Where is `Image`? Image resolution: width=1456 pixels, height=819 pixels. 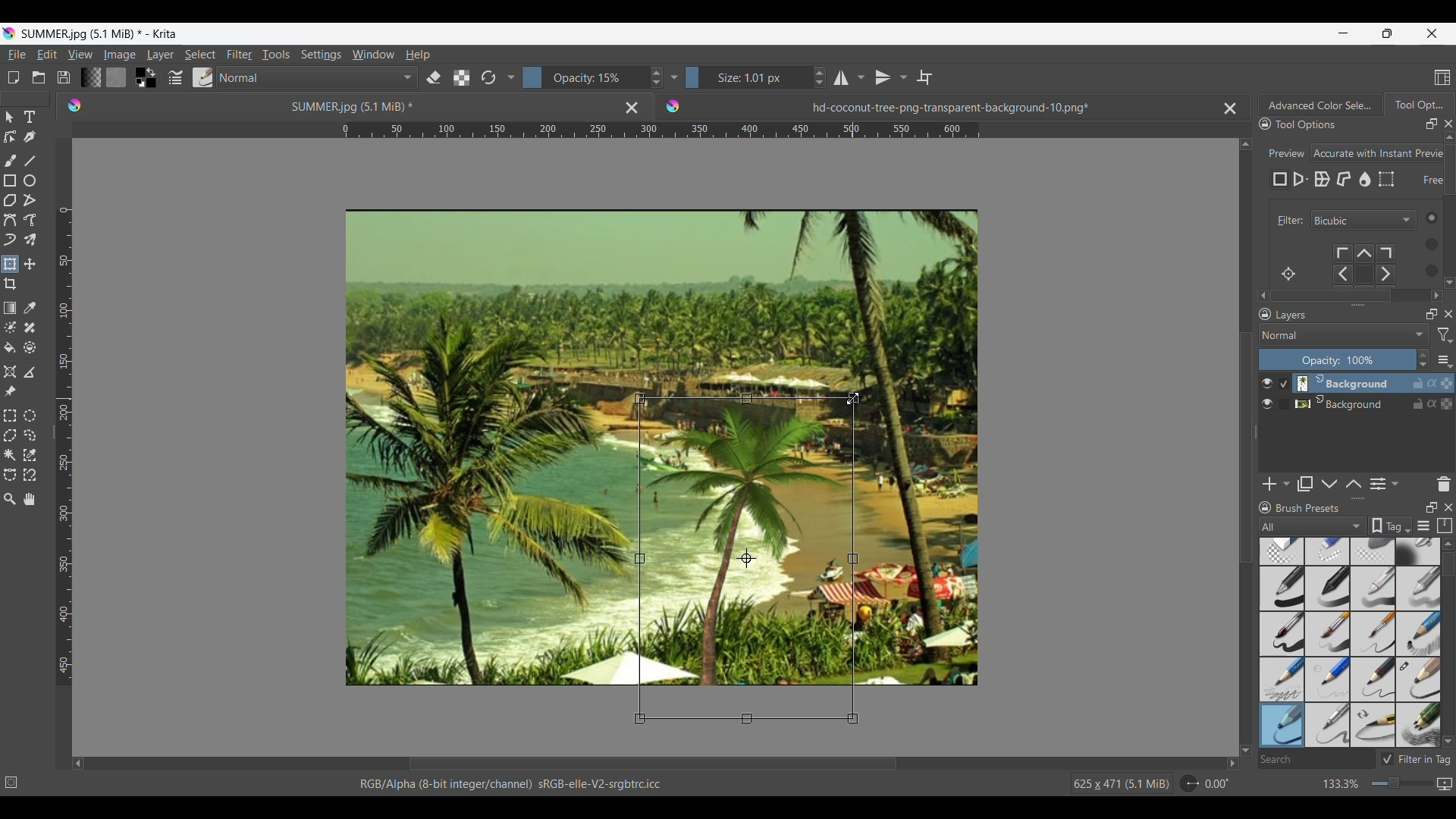
Image is located at coordinates (119, 55).